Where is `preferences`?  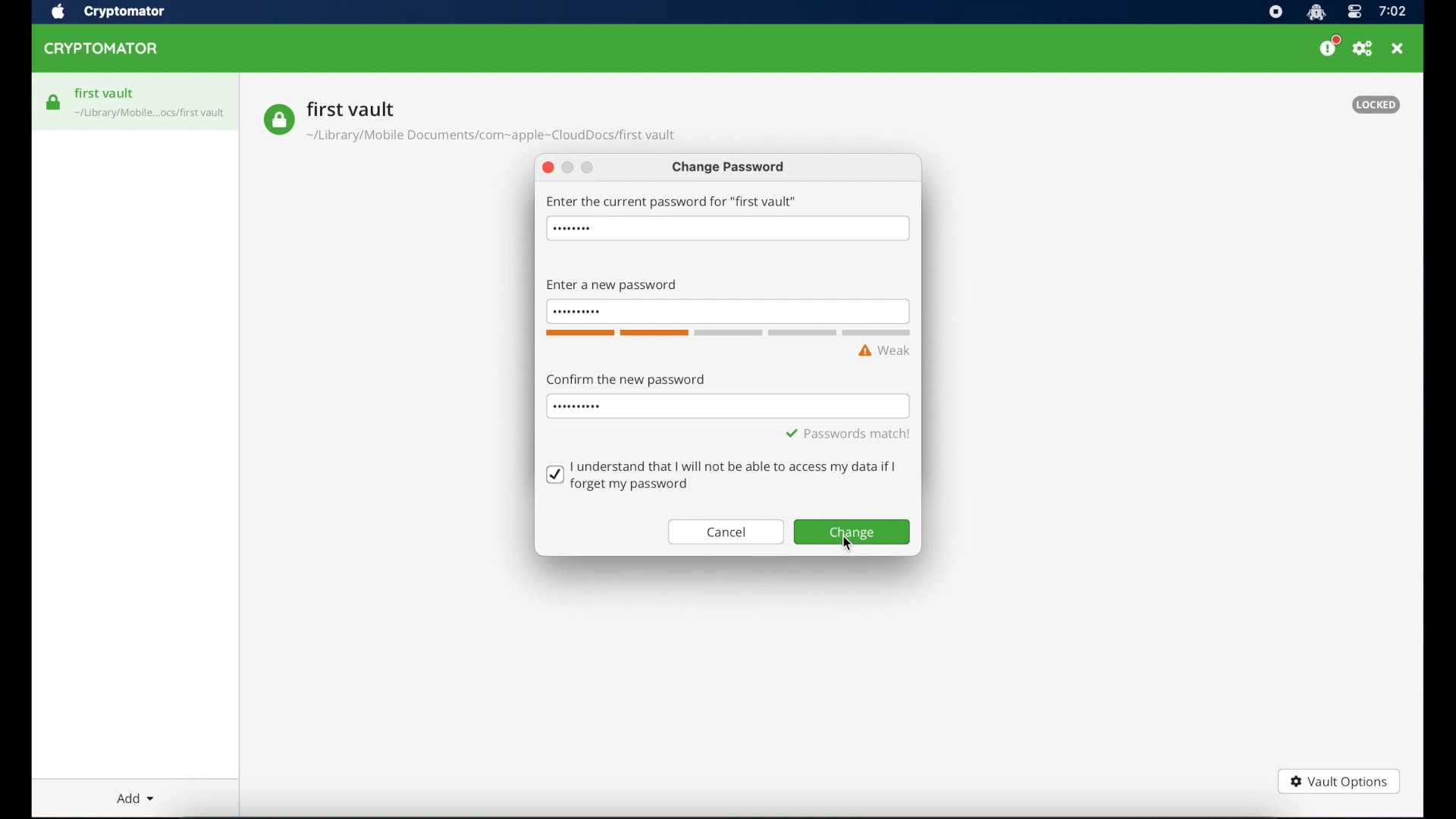
preferences is located at coordinates (1363, 49).